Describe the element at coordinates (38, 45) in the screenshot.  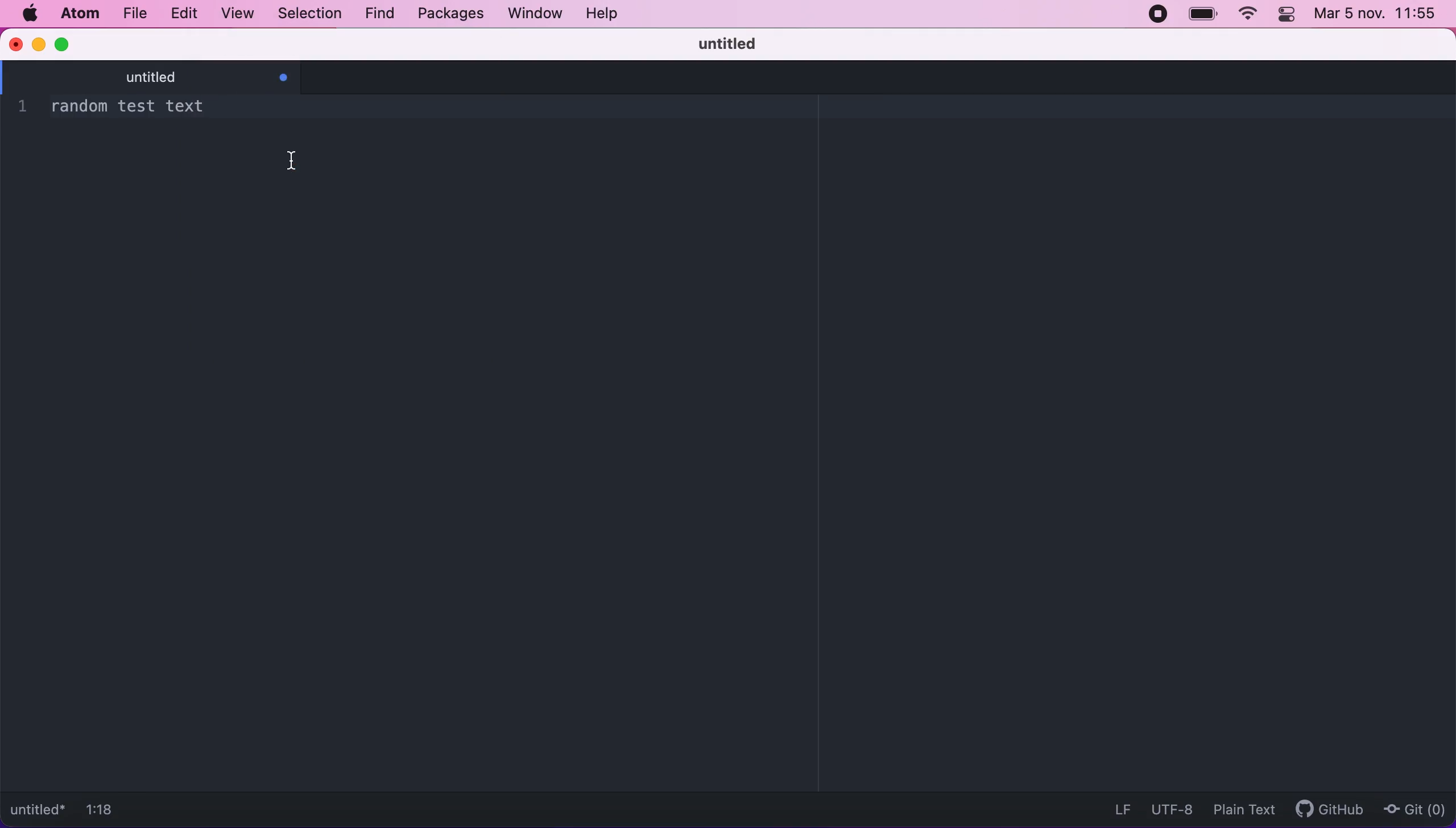
I see `minimize` at that location.